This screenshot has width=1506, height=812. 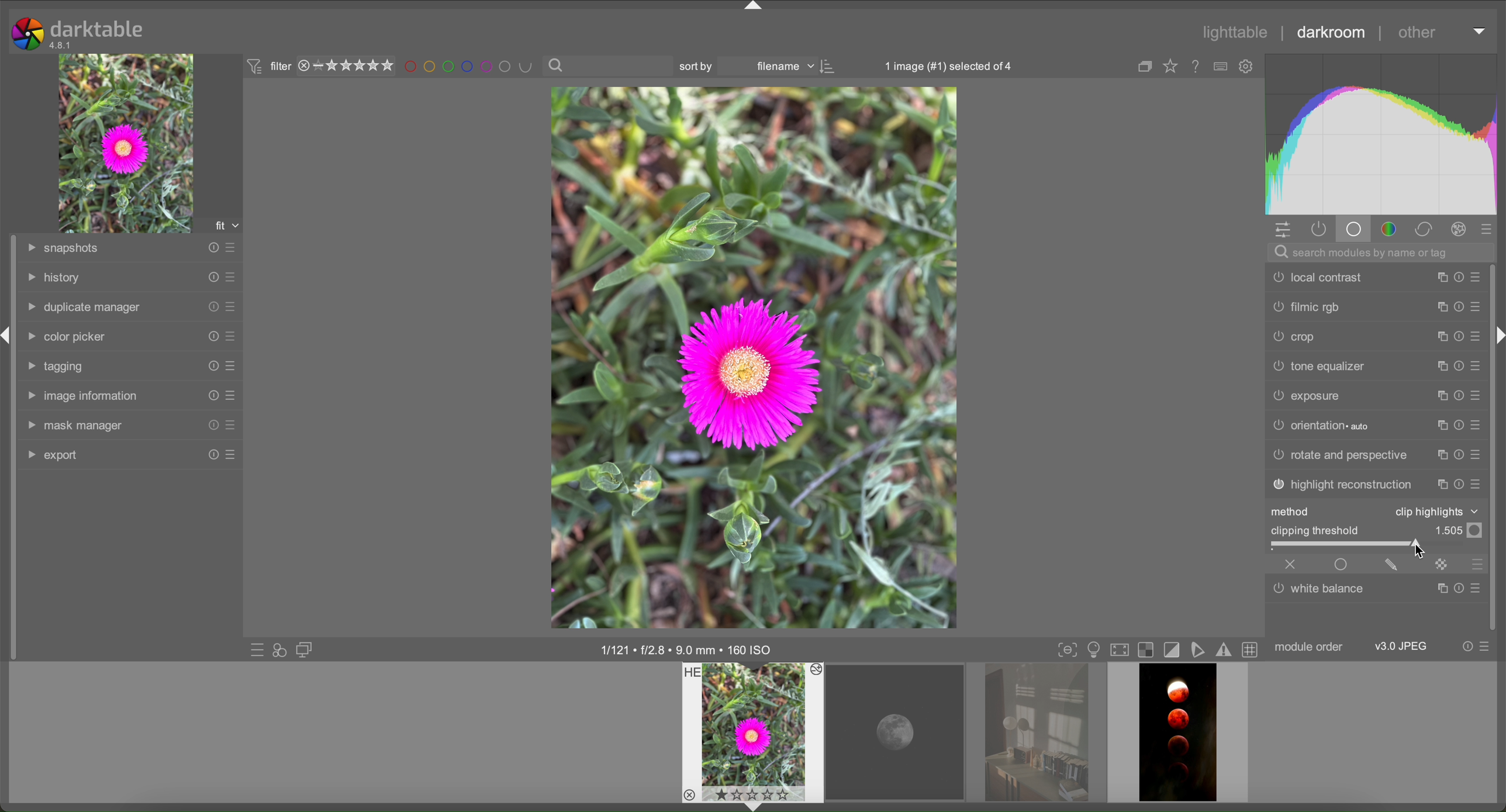 I want to click on quick access to presets, so click(x=256, y=649).